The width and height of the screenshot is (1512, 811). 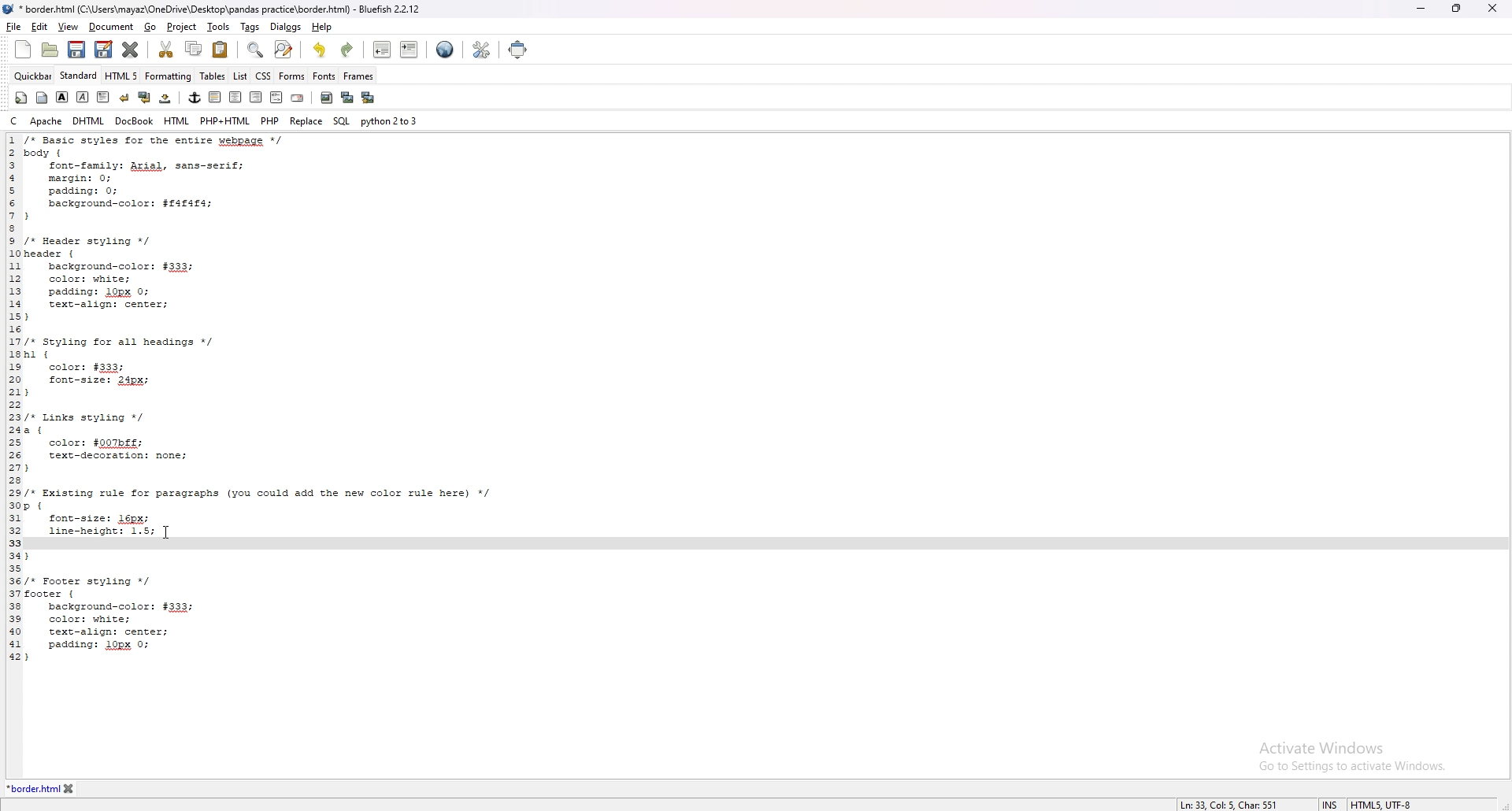 What do you see at coordinates (283, 49) in the screenshot?
I see `advanced find and replace` at bounding box center [283, 49].